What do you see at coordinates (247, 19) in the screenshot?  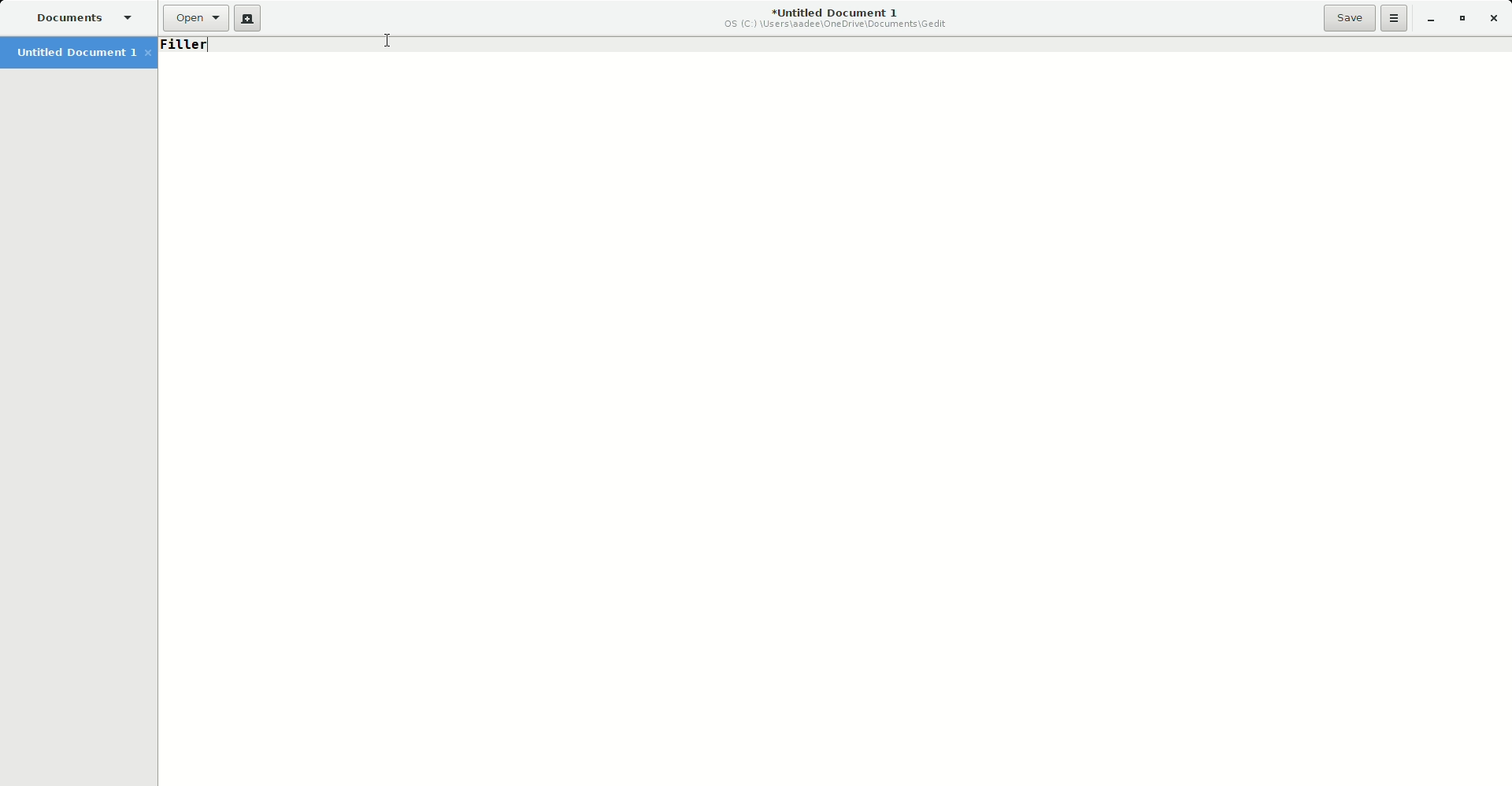 I see `New` at bounding box center [247, 19].